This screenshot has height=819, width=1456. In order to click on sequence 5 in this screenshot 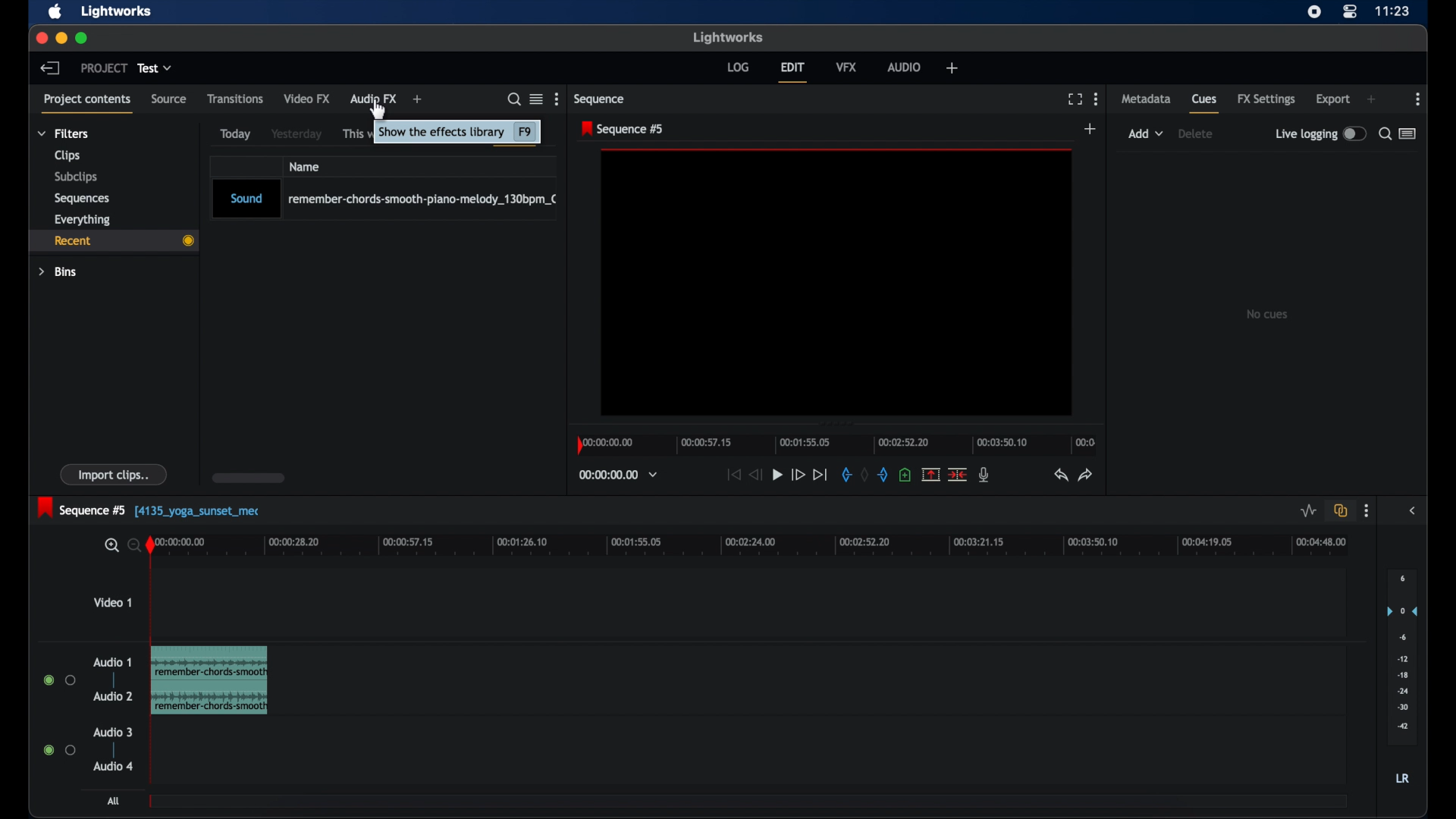, I will do `click(150, 509)`.